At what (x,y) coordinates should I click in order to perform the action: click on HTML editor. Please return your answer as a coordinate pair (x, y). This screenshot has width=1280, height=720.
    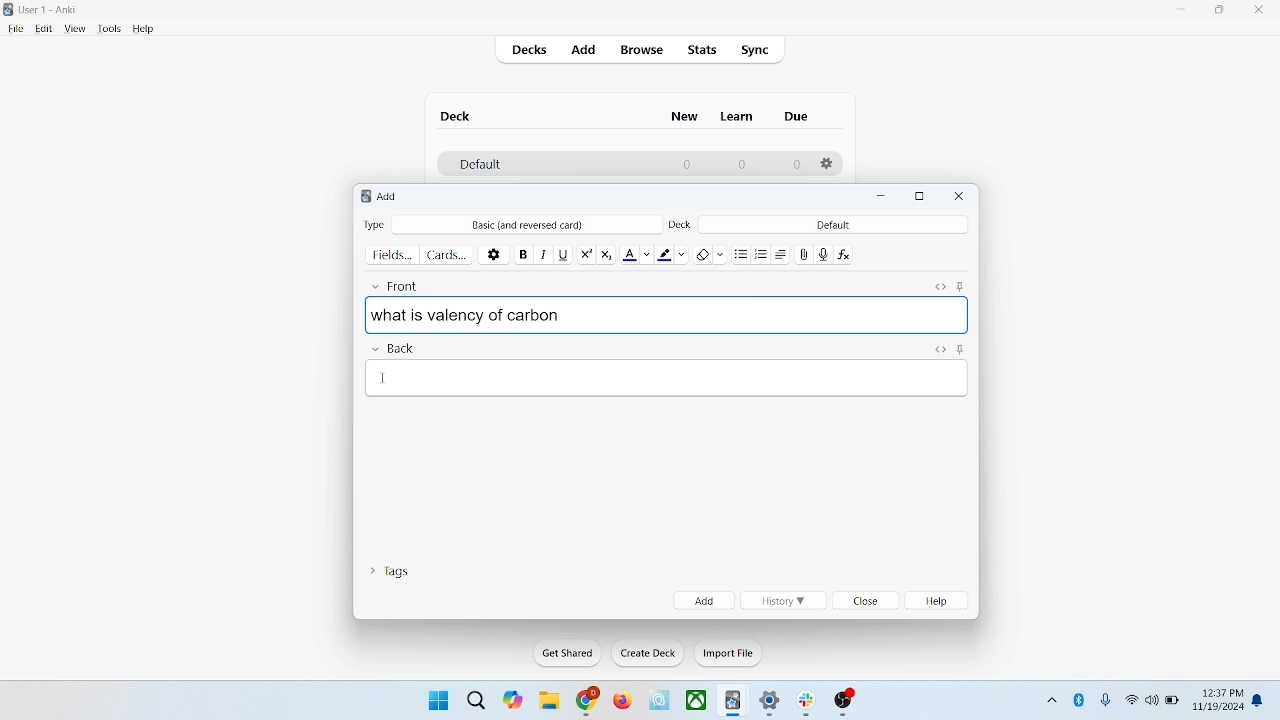
    Looking at the image, I should click on (939, 284).